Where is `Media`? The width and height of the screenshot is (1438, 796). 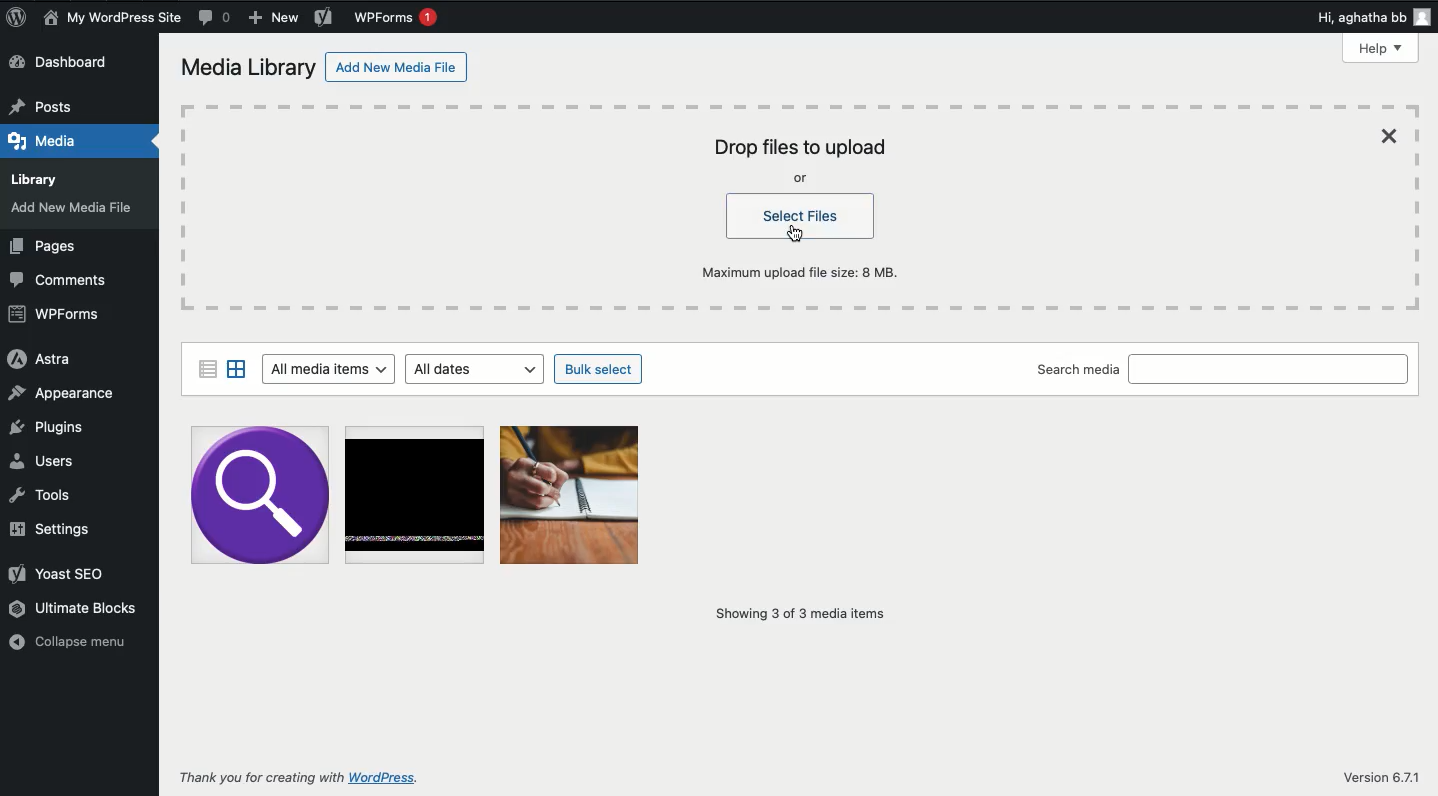
Media is located at coordinates (49, 138).